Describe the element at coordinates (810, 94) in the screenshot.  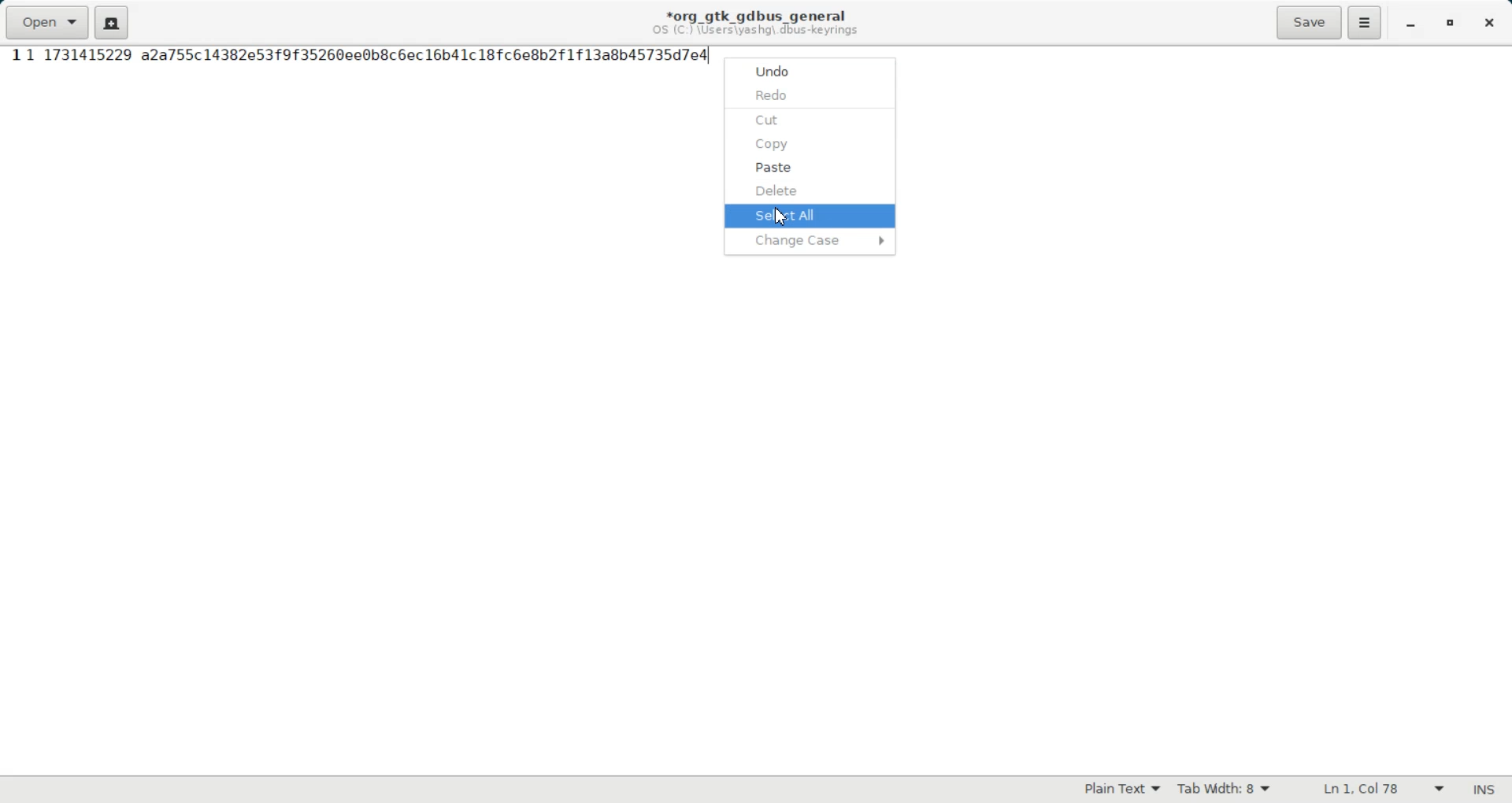
I see `Redo` at that location.